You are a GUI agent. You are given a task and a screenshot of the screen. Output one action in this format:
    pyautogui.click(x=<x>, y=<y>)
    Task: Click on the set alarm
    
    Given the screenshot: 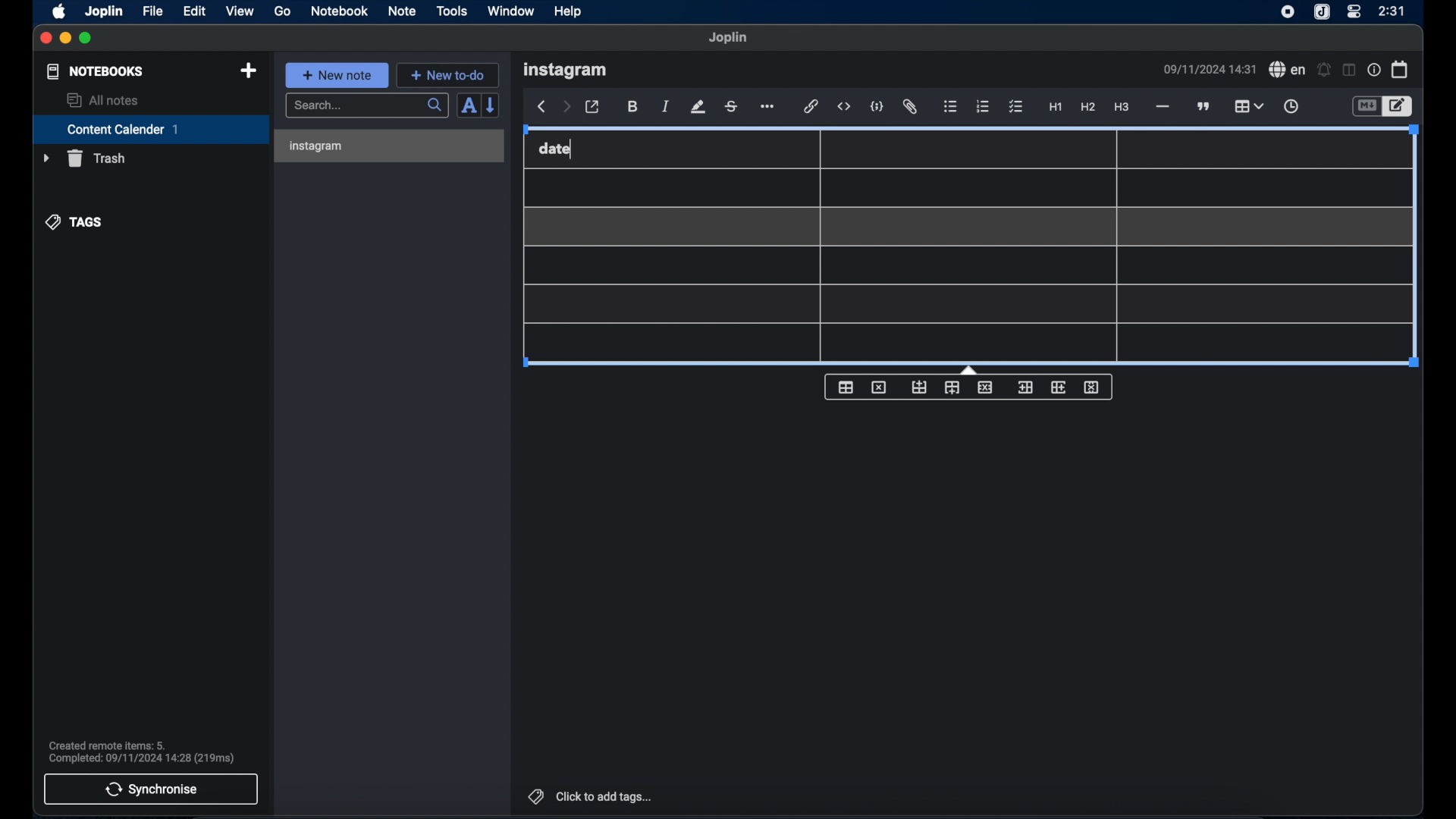 What is the action you would take?
    pyautogui.click(x=1324, y=69)
    